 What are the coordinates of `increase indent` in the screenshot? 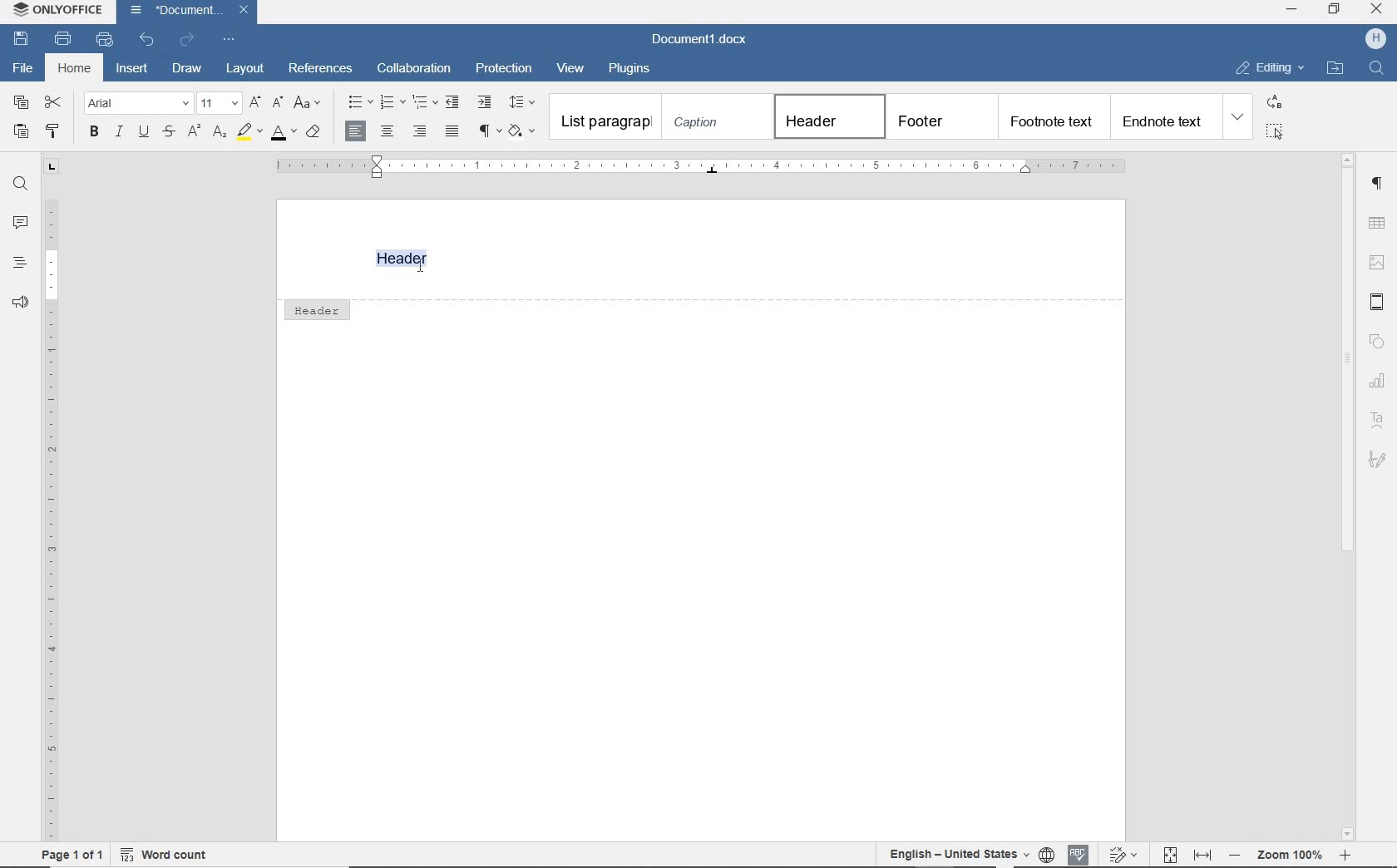 It's located at (485, 101).